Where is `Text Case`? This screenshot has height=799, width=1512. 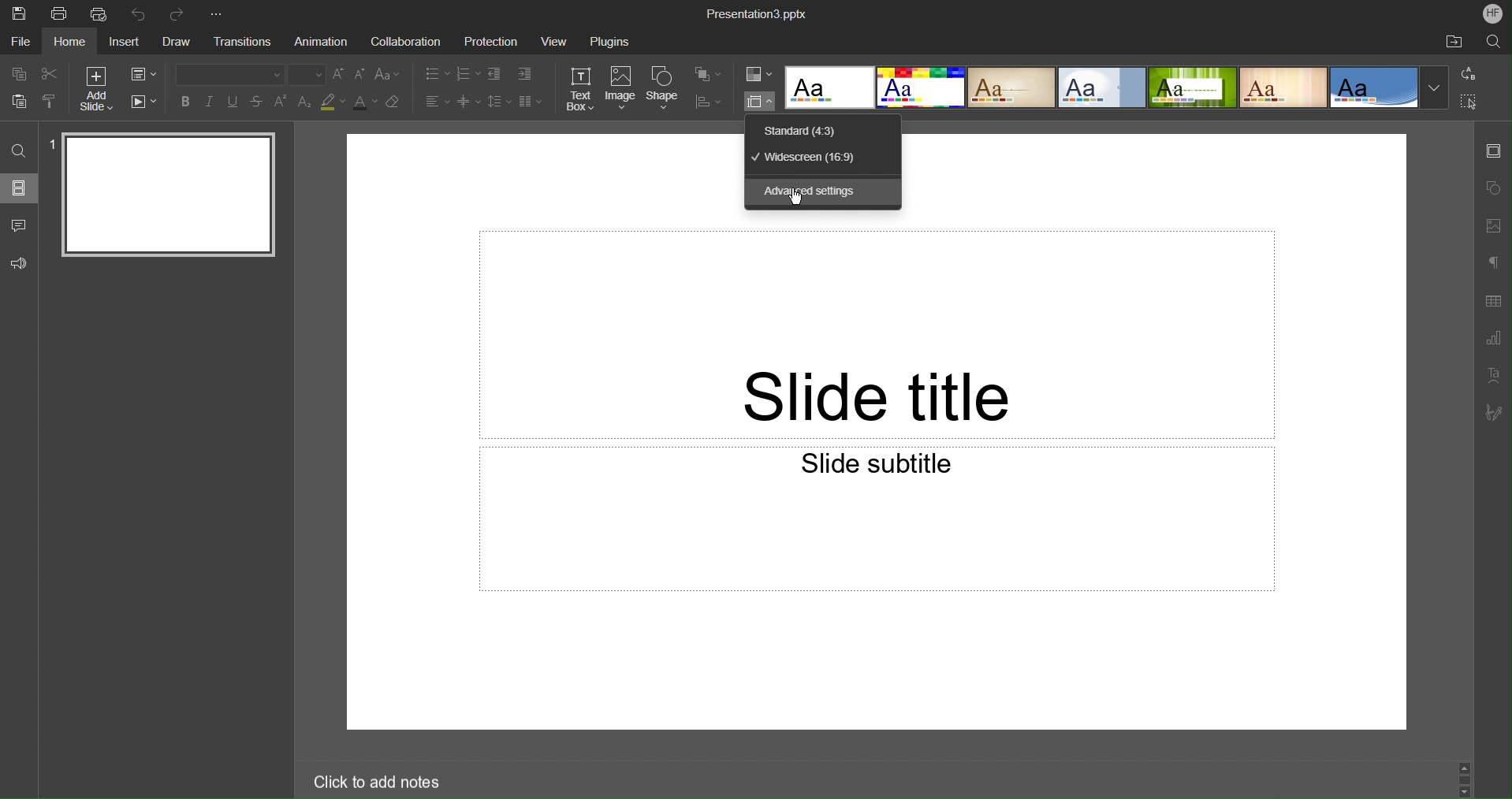
Text Case is located at coordinates (389, 75).